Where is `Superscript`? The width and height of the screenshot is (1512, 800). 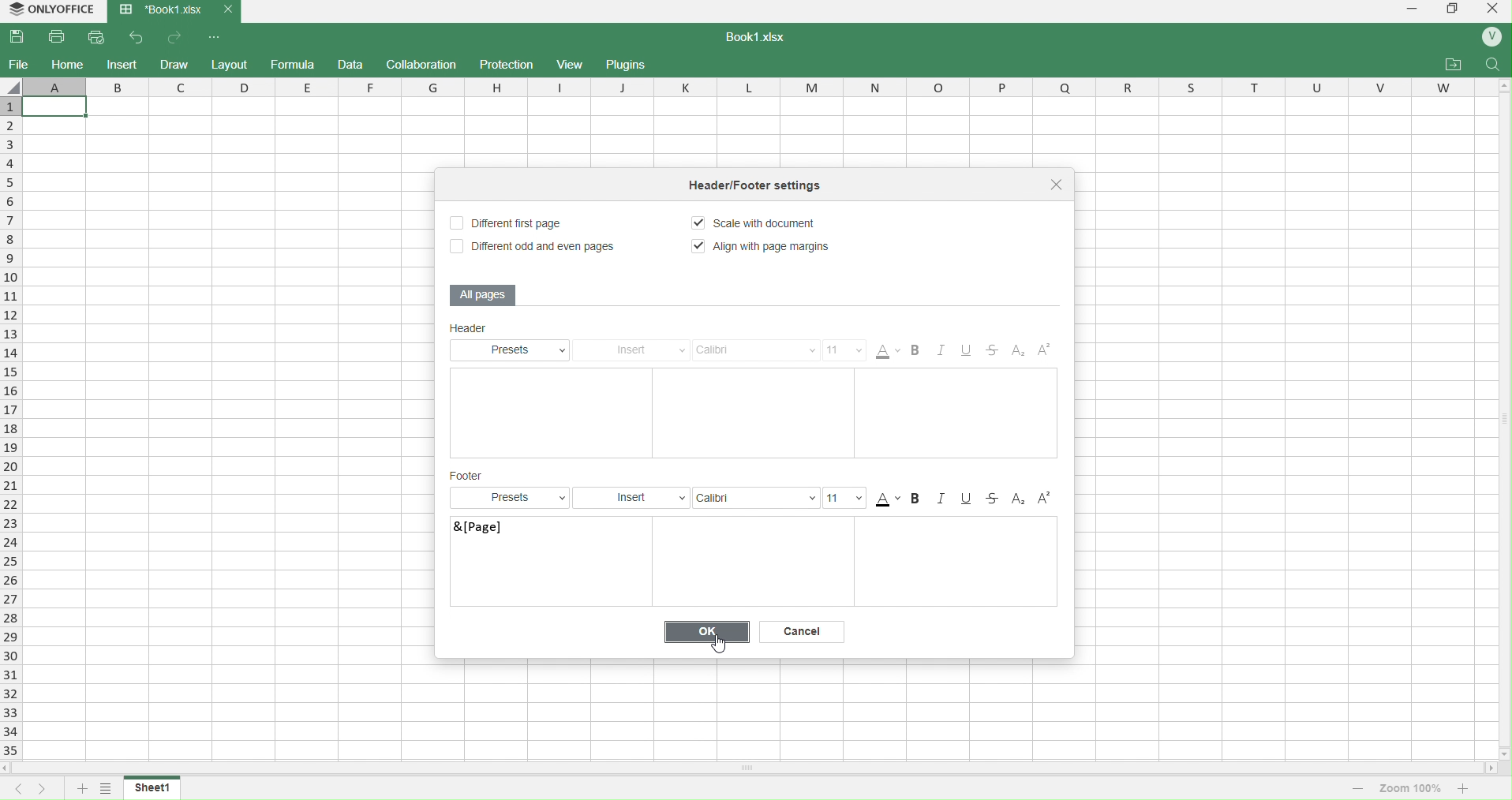
Superscript is located at coordinates (1045, 353).